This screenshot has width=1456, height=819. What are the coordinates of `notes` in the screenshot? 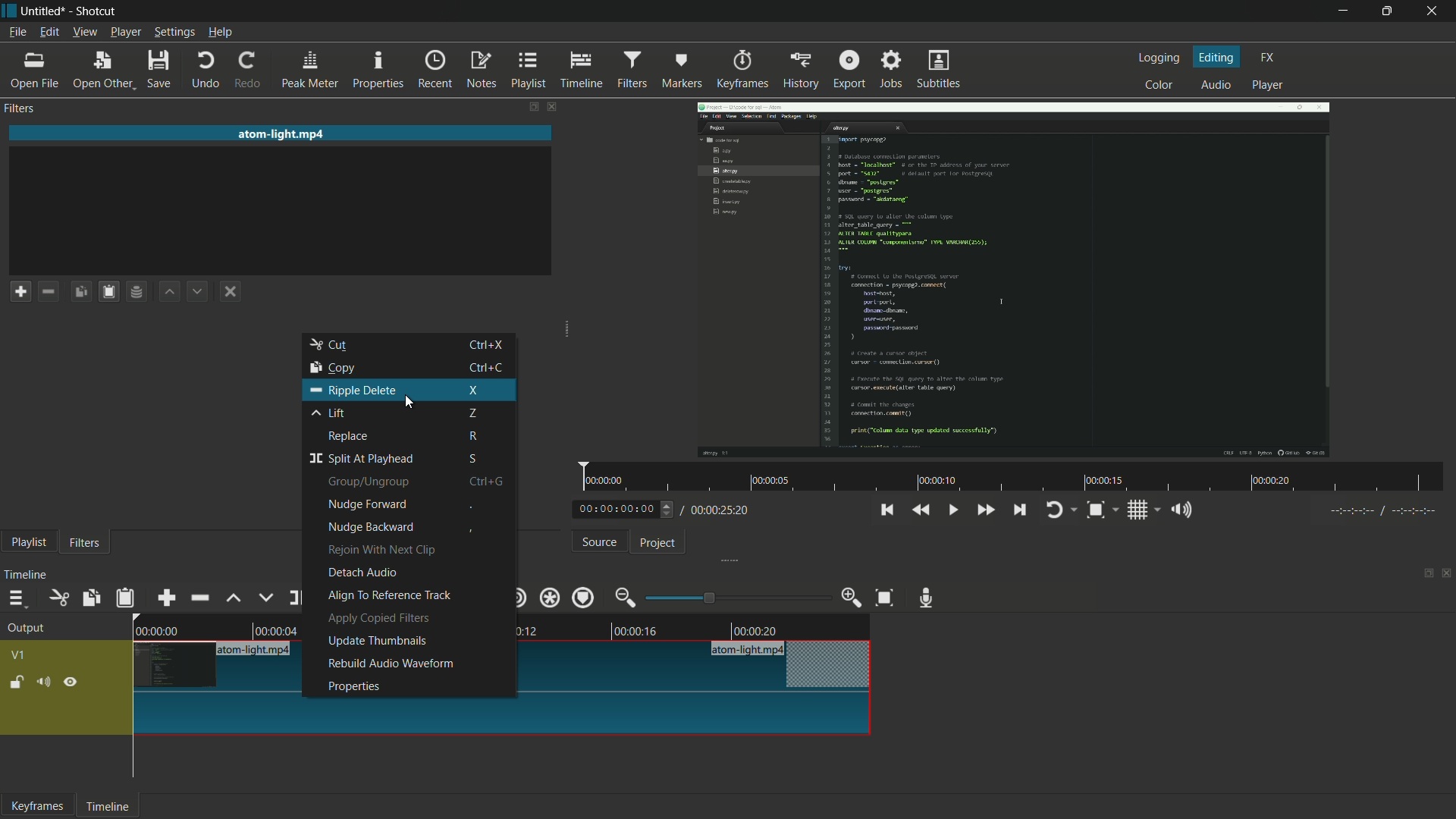 It's located at (482, 71).